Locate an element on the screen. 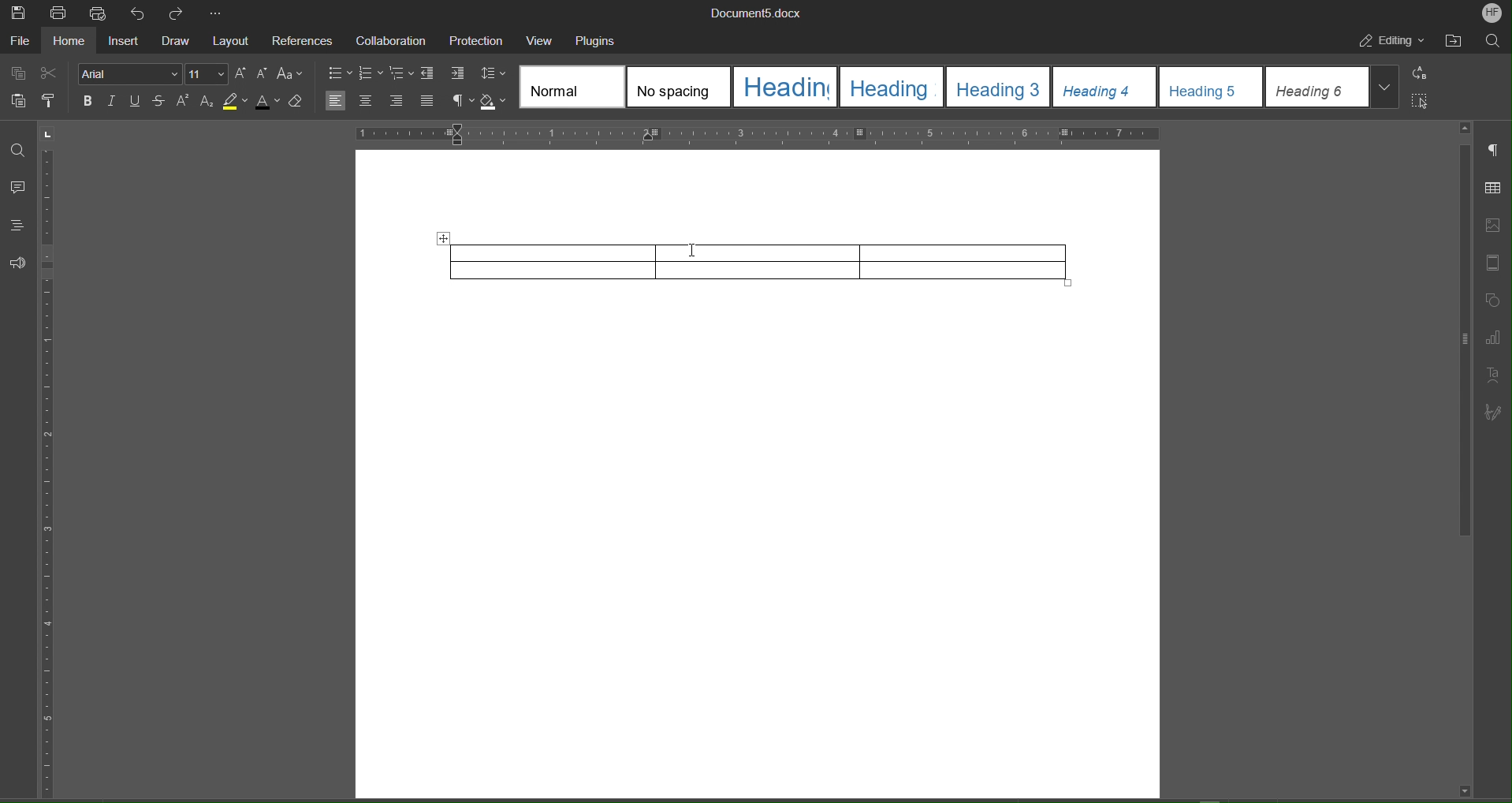 The image size is (1512, 803). Move table is located at coordinates (442, 239).